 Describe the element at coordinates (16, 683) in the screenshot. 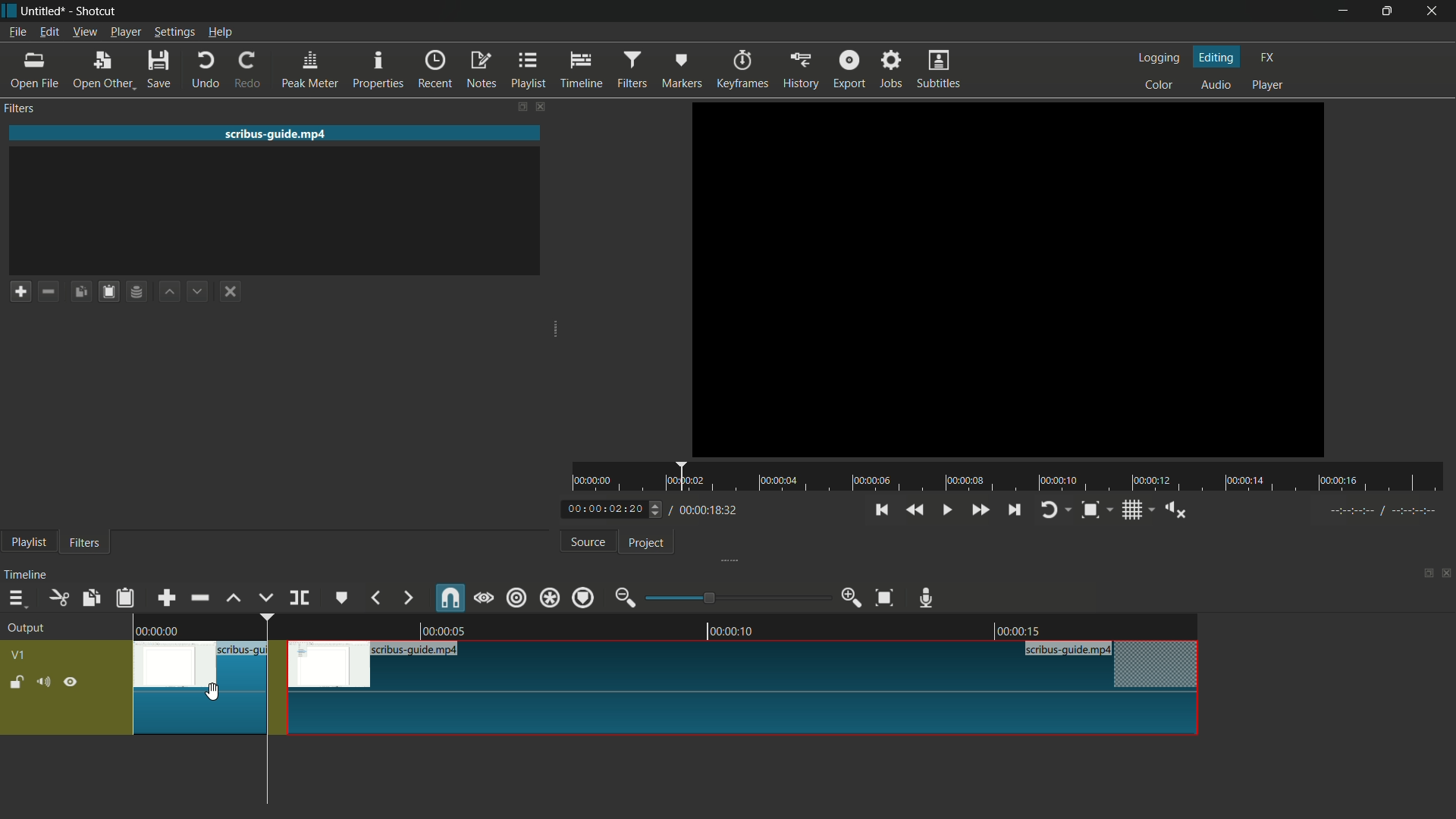

I see `lock` at that location.